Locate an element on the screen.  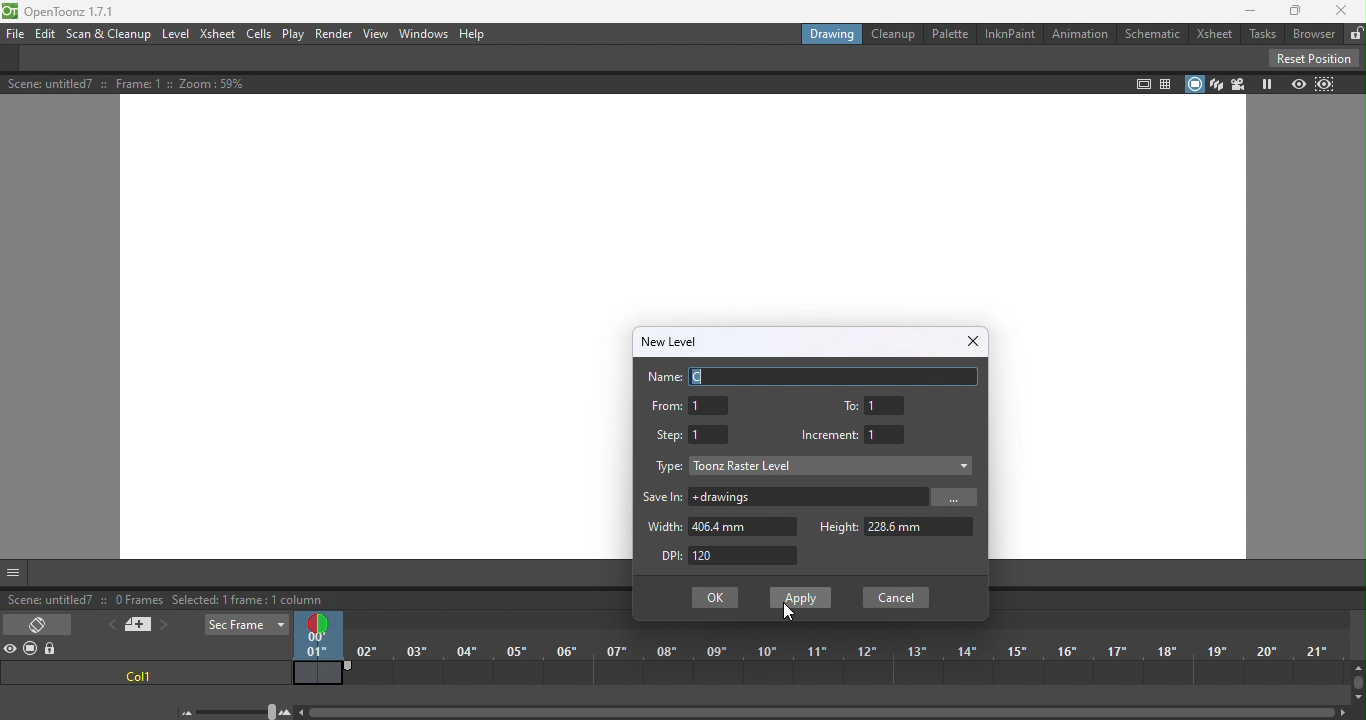
Scan & Cleanup is located at coordinates (110, 35).